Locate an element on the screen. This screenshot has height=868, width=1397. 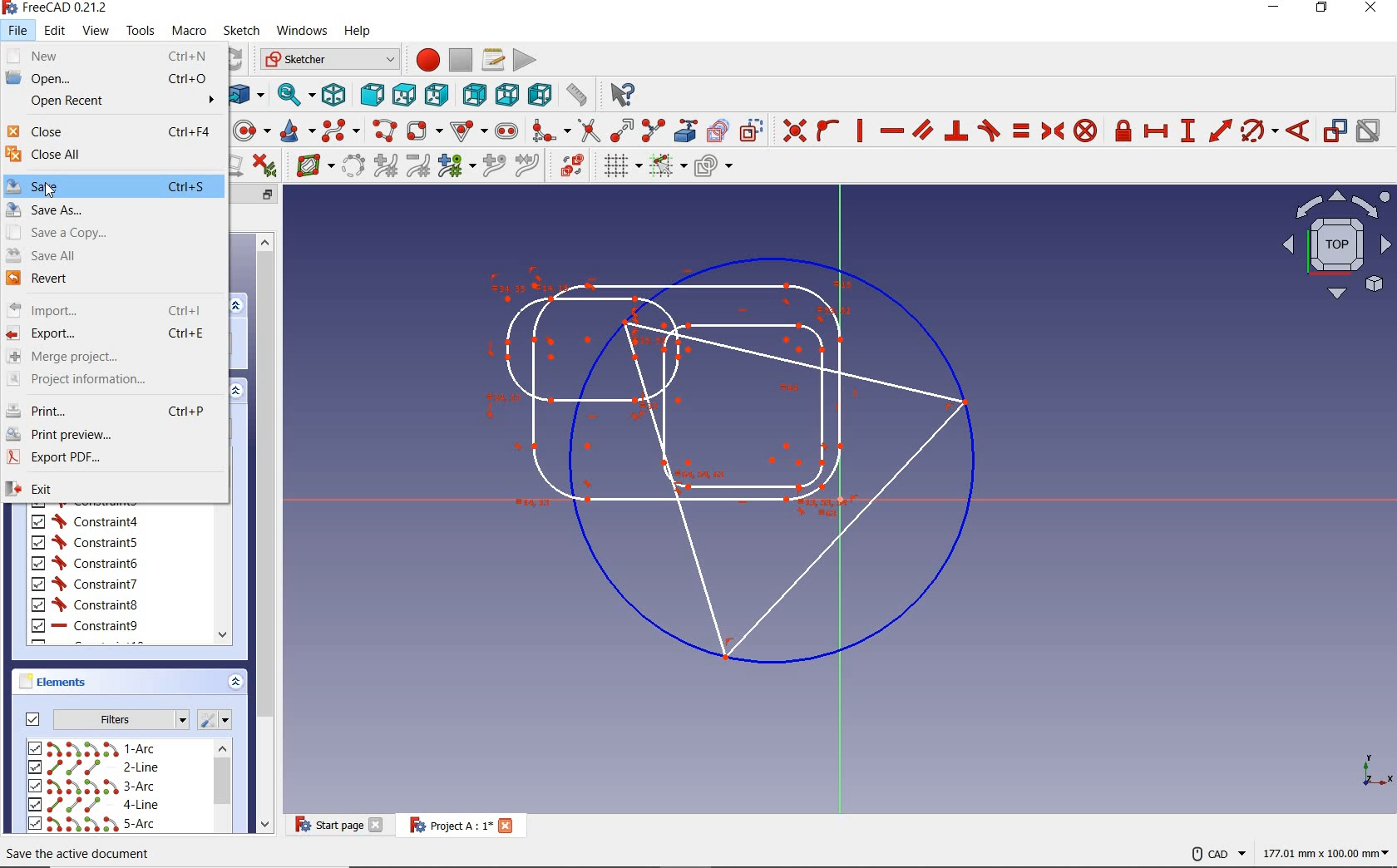
constrain arc or circle is located at coordinates (1258, 133).